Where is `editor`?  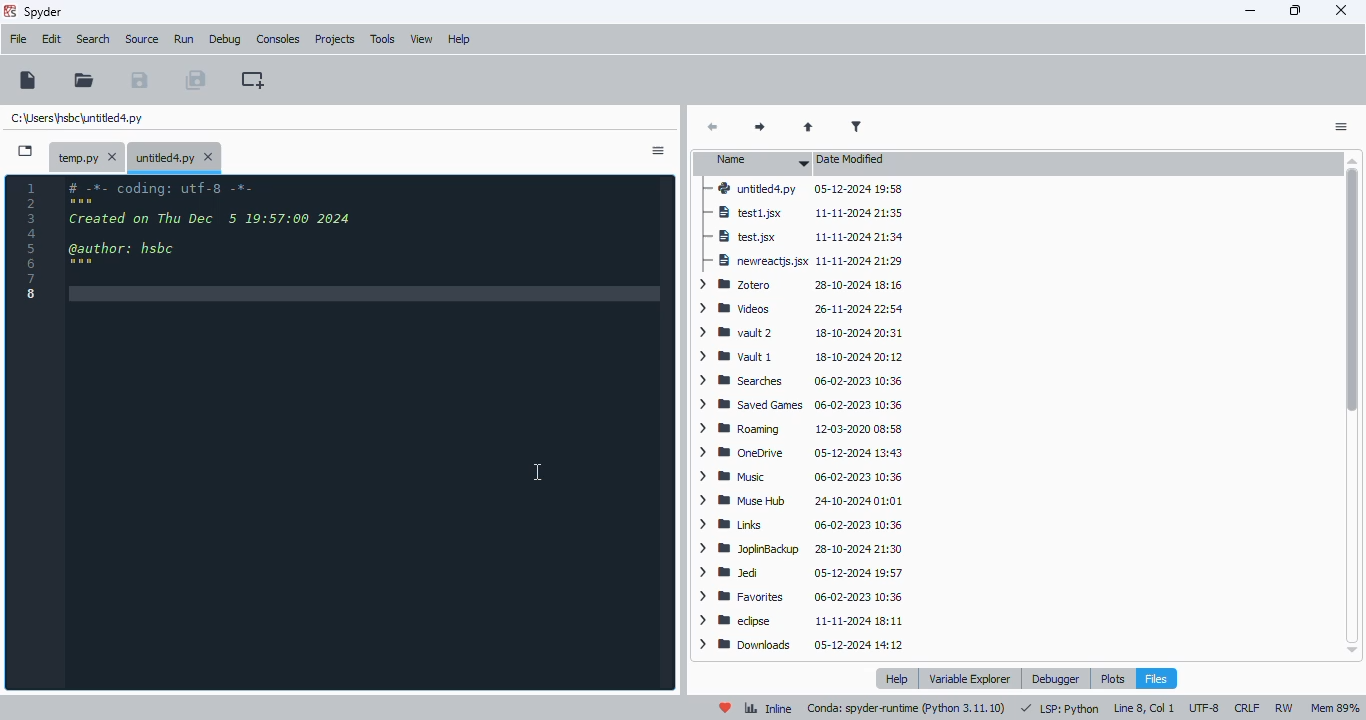
editor is located at coordinates (370, 435).